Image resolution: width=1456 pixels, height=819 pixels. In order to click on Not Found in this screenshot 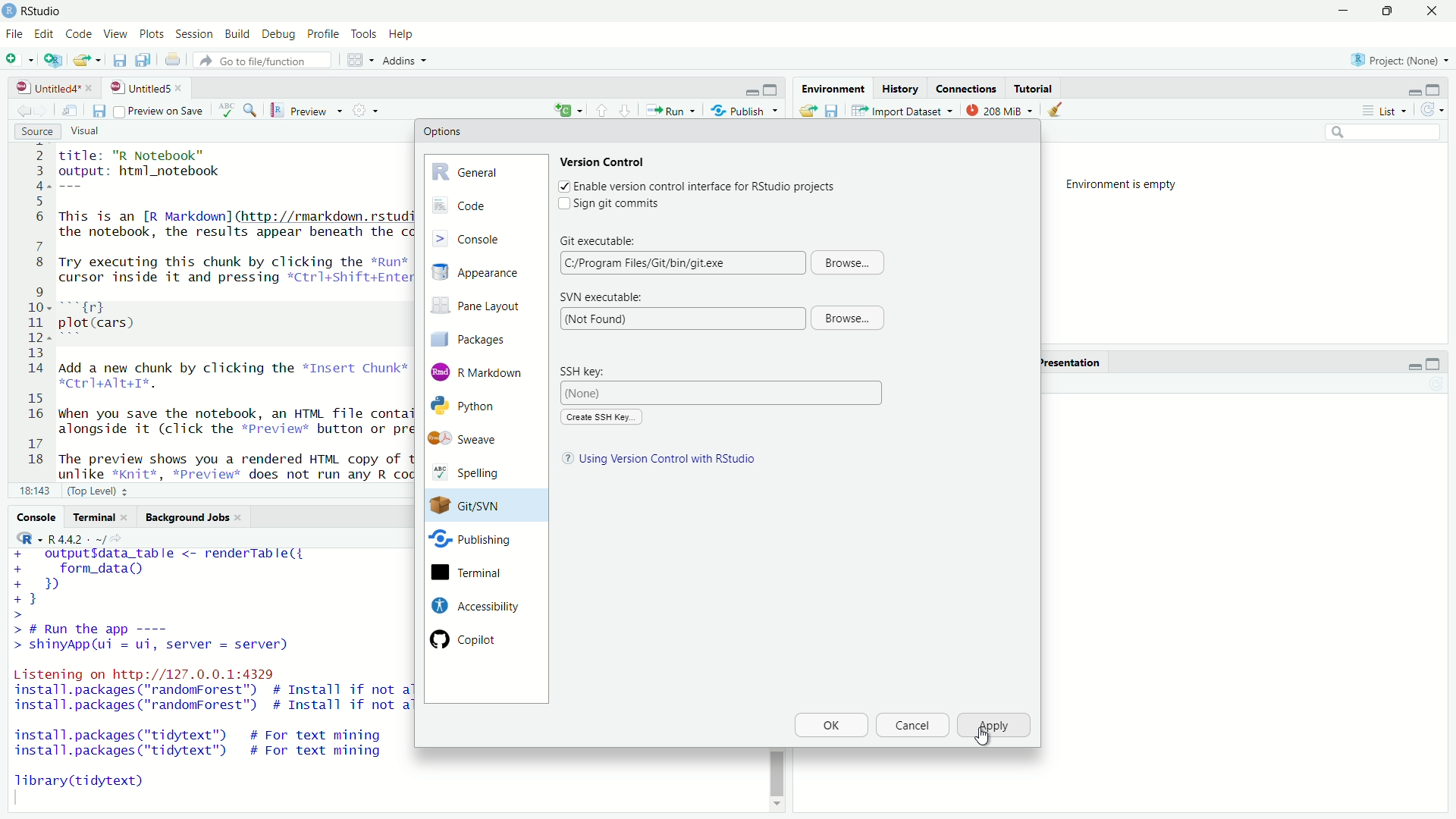, I will do `click(680, 318)`.